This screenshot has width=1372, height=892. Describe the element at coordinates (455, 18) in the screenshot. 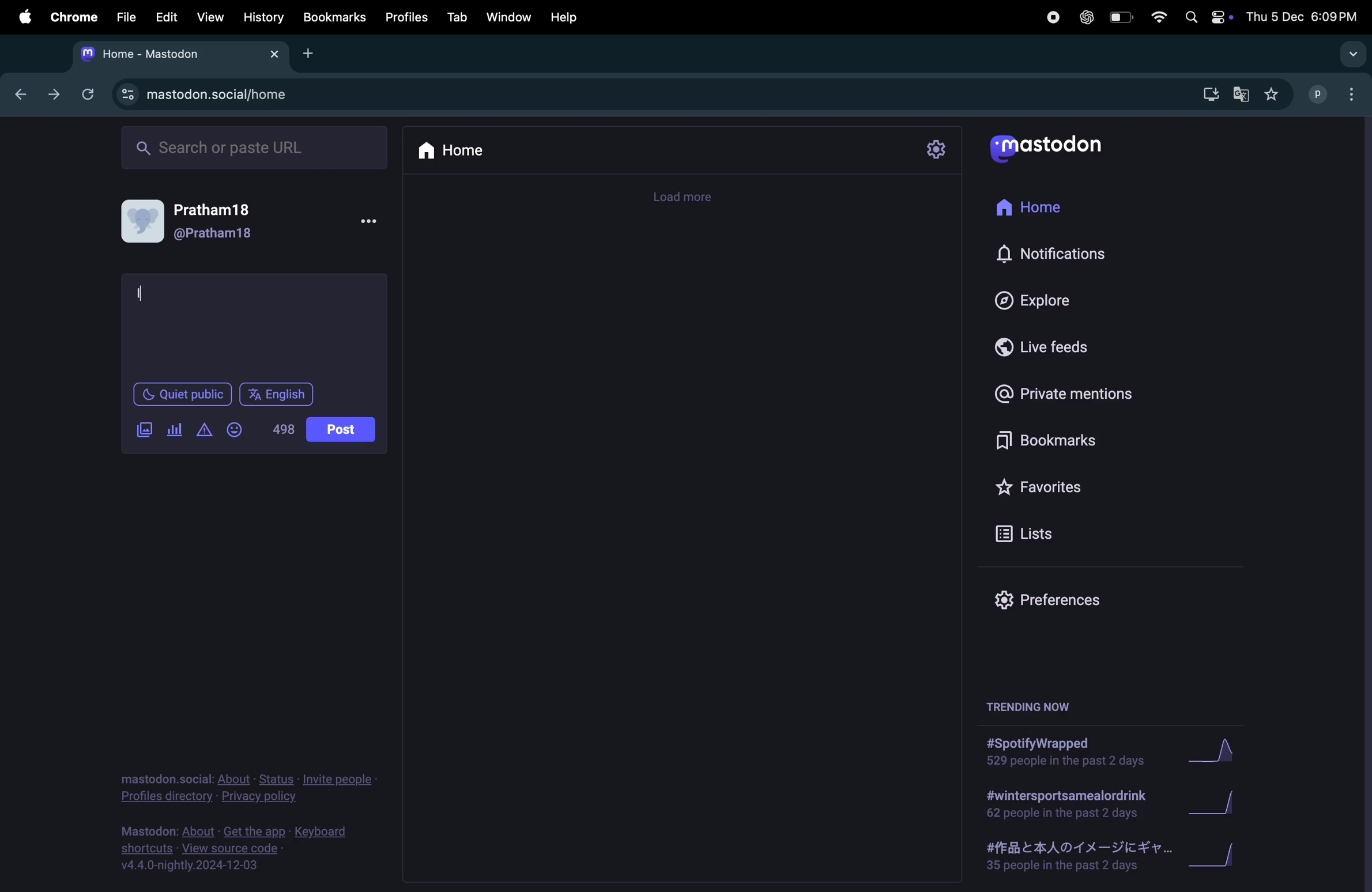

I see `tab` at that location.